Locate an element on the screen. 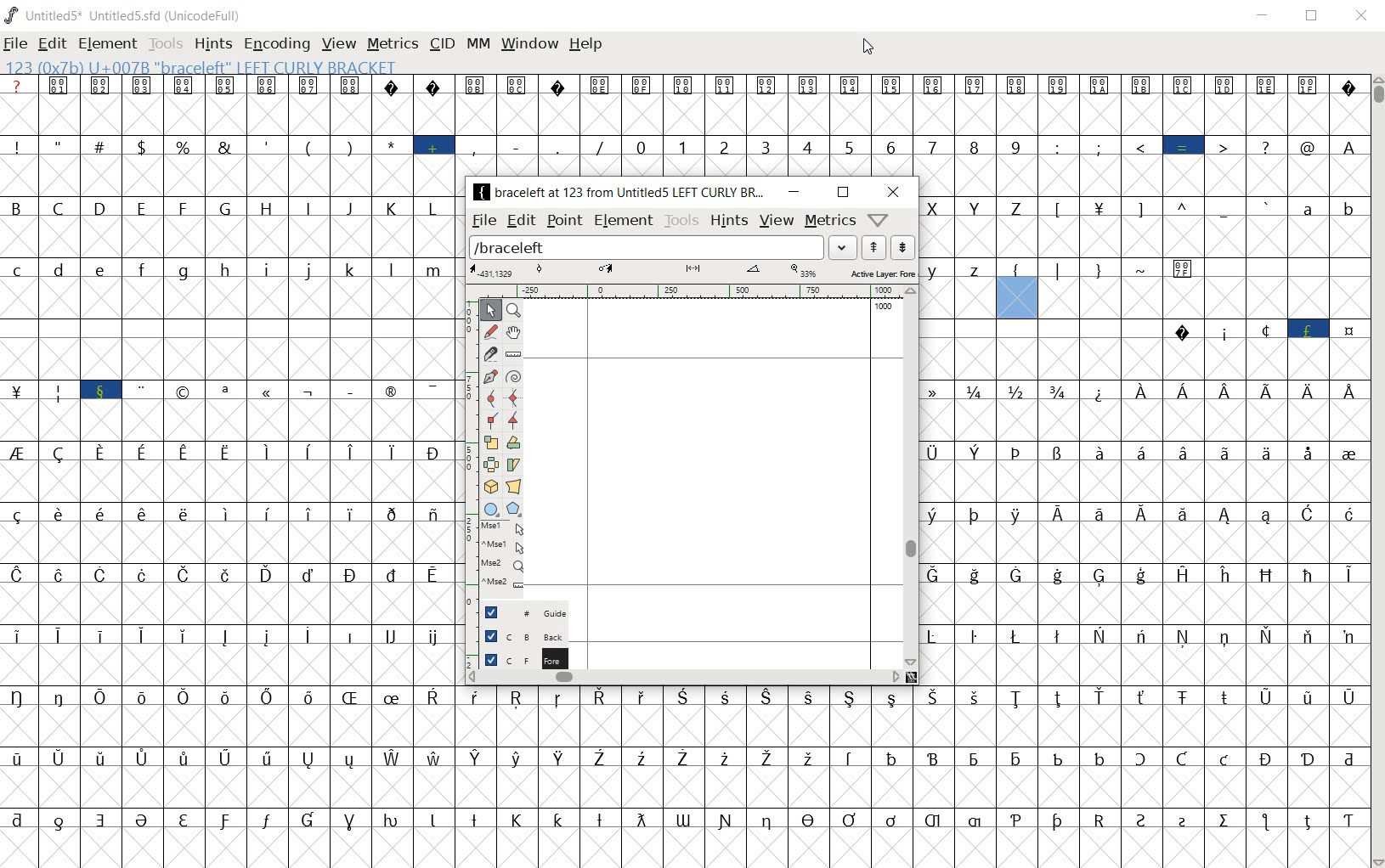 This screenshot has width=1385, height=868. metrics is located at coordinates (392, 43).